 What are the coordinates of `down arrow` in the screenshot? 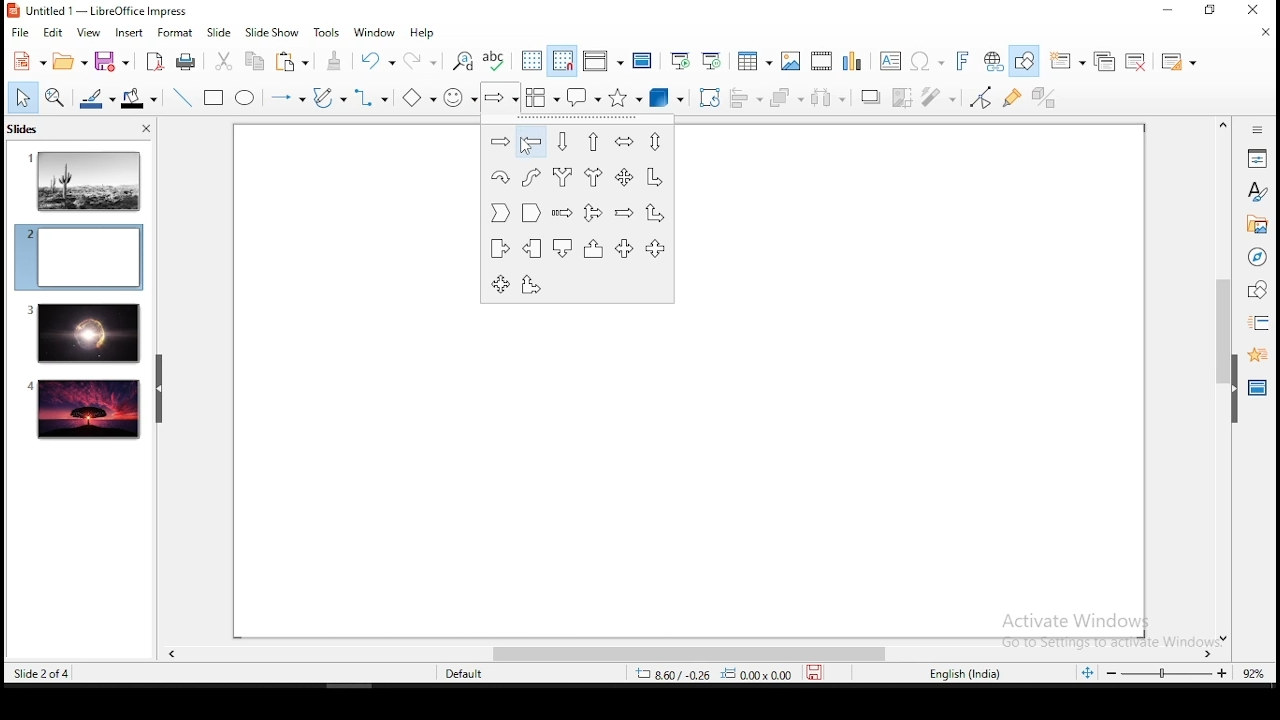 It's located at (563, 142).